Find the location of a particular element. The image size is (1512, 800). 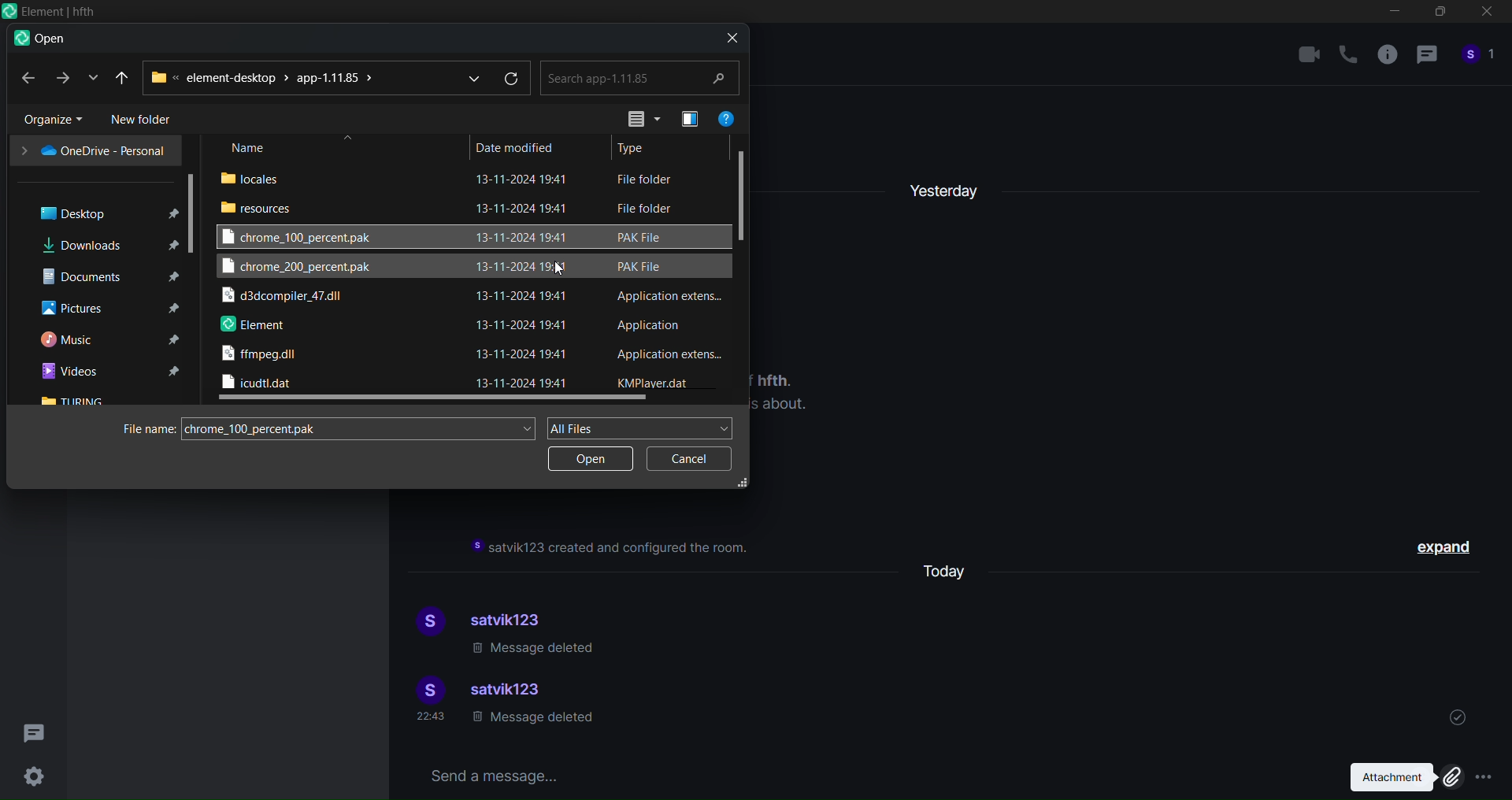

chrome 200 is located at coordinates (298, 269).